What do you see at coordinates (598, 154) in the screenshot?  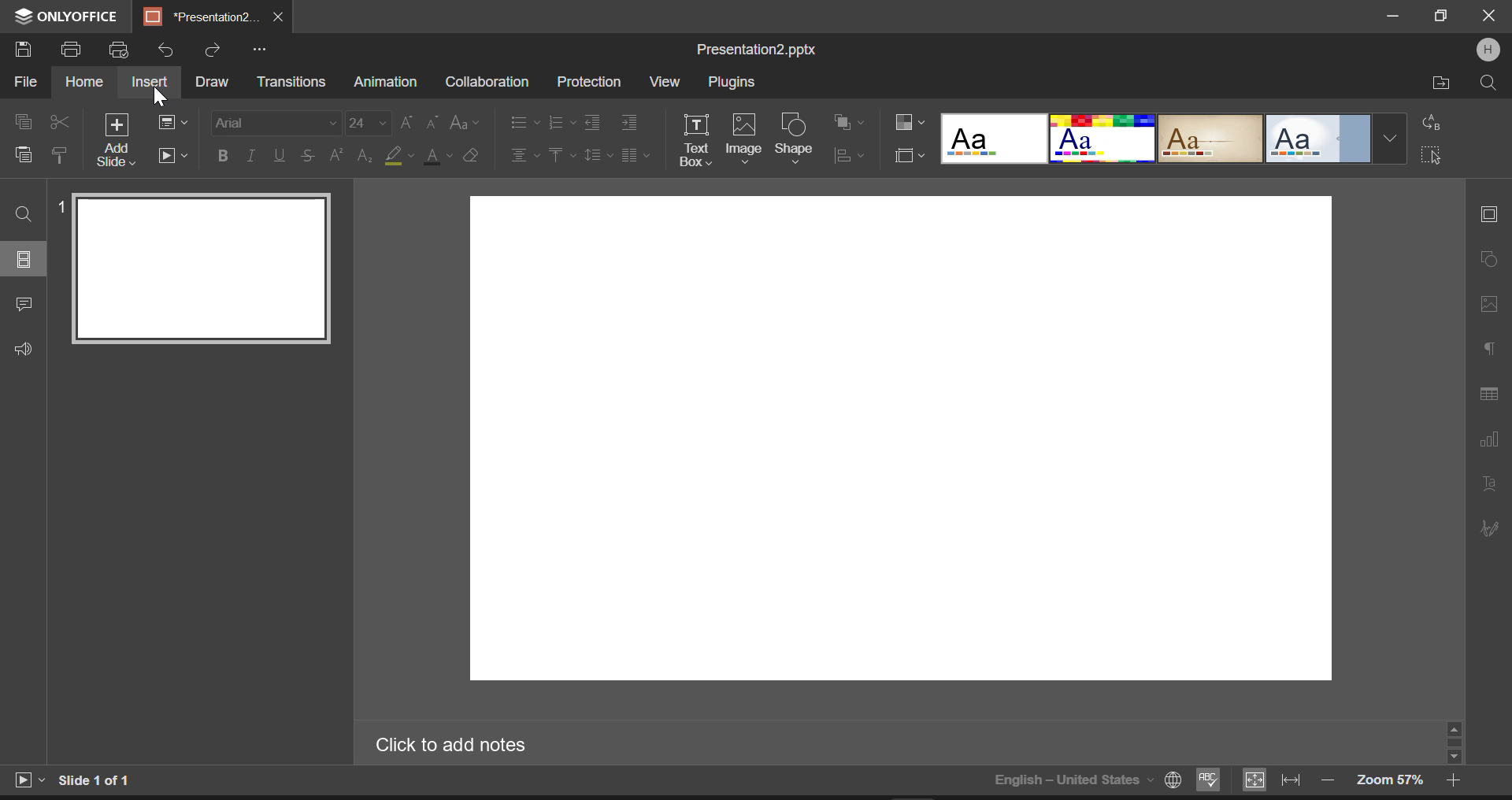 I see `Line Spacing` at bounding box center [598, 154].